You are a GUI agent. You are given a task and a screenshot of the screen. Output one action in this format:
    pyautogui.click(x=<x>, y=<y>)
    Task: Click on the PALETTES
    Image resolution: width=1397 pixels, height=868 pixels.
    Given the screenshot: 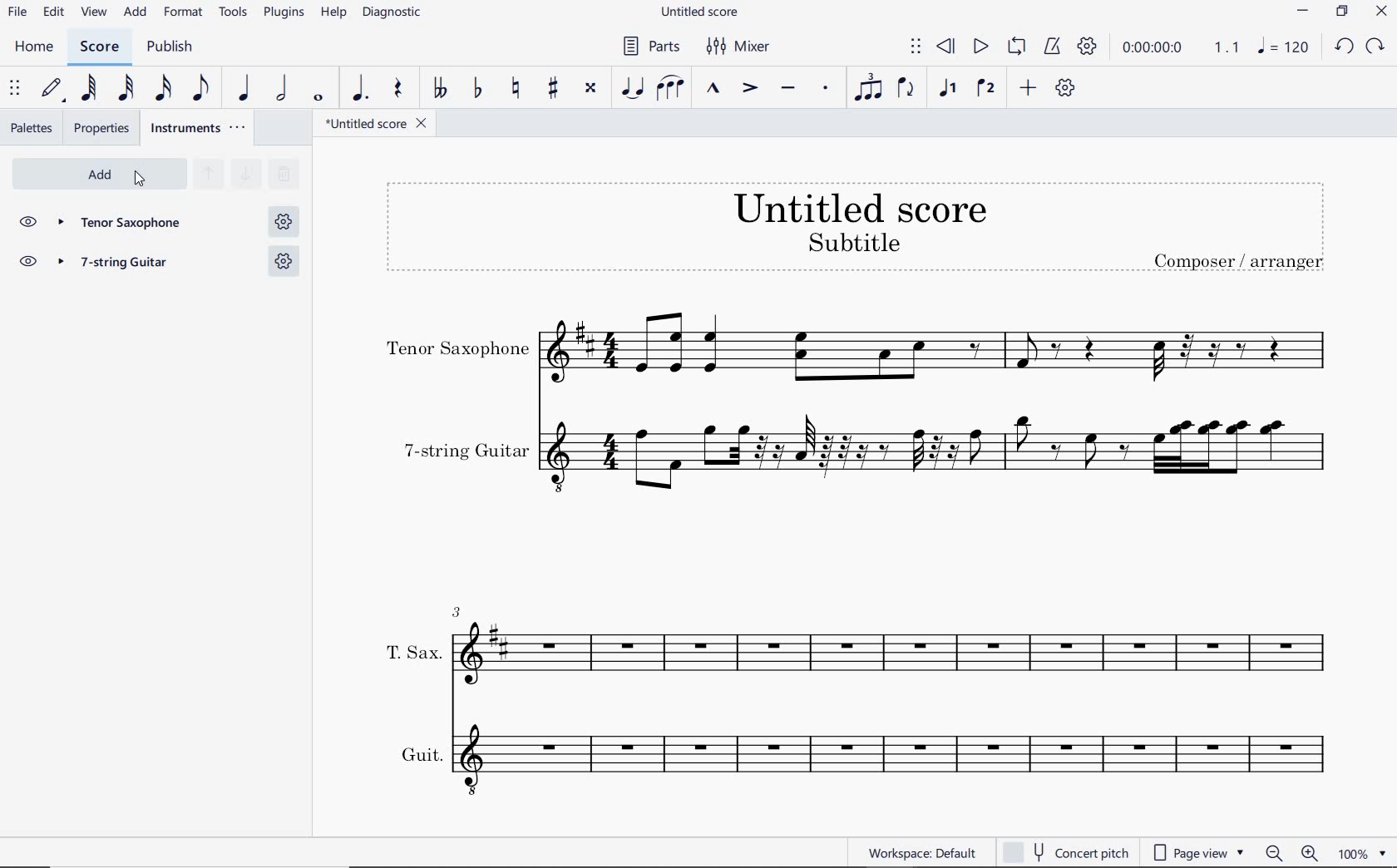 What is the action you would take?
    pyautogui.click(x=31, y=126)
    